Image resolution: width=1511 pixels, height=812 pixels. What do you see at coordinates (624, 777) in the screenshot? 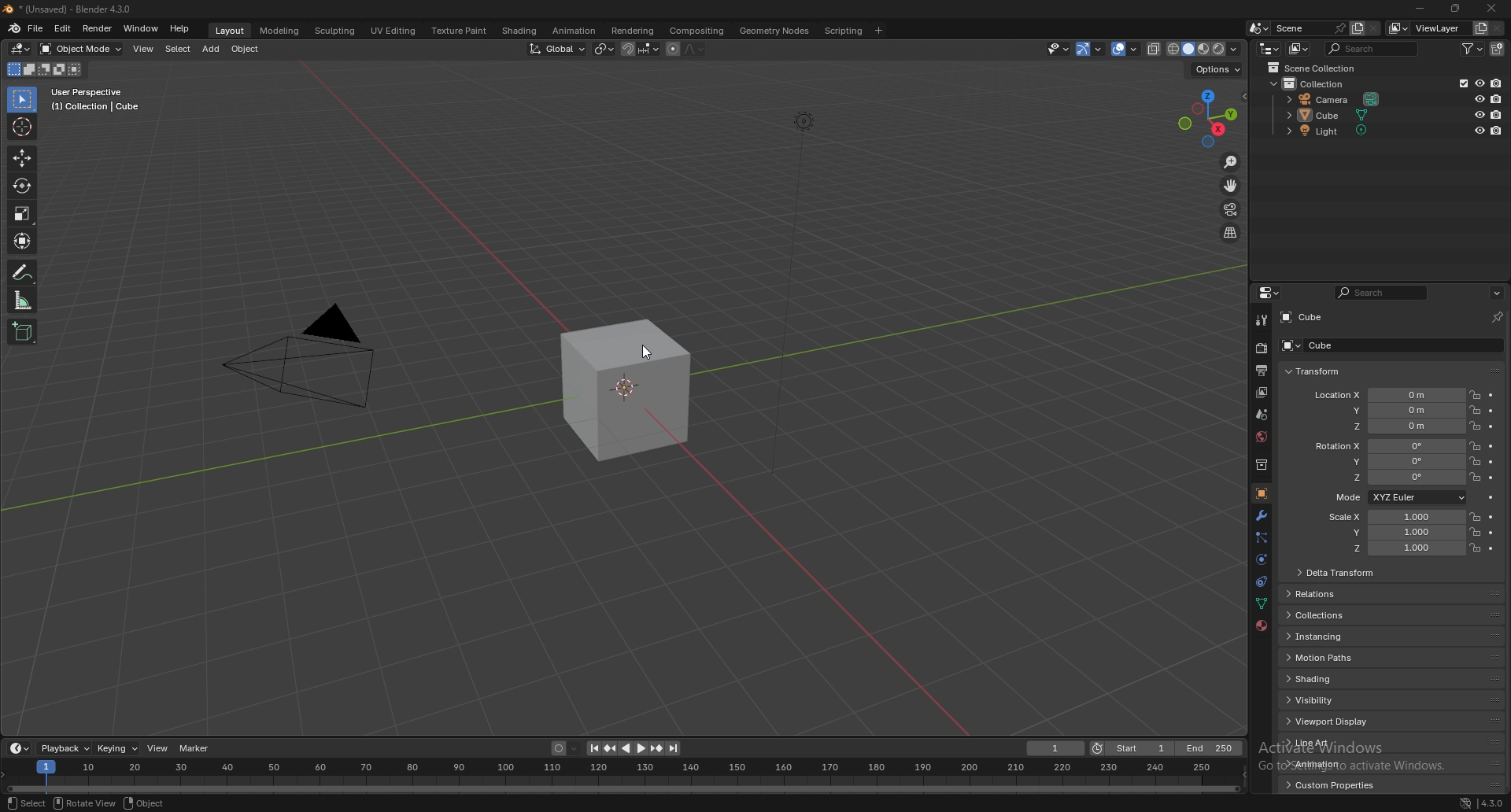
I see `seek` at bounding box center [624, 777].